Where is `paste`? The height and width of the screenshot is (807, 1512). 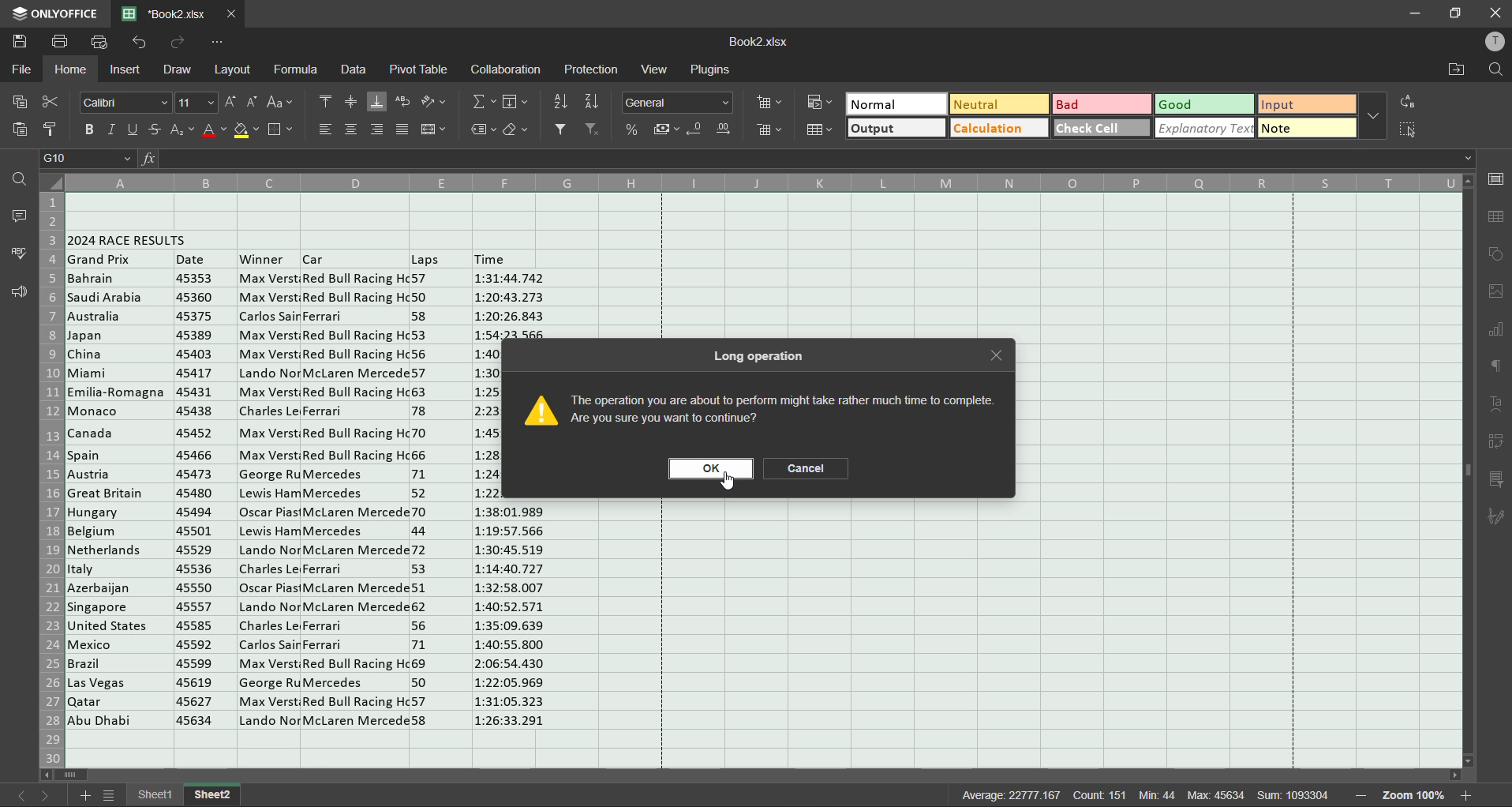 paste is located at coordinates (23, 131).